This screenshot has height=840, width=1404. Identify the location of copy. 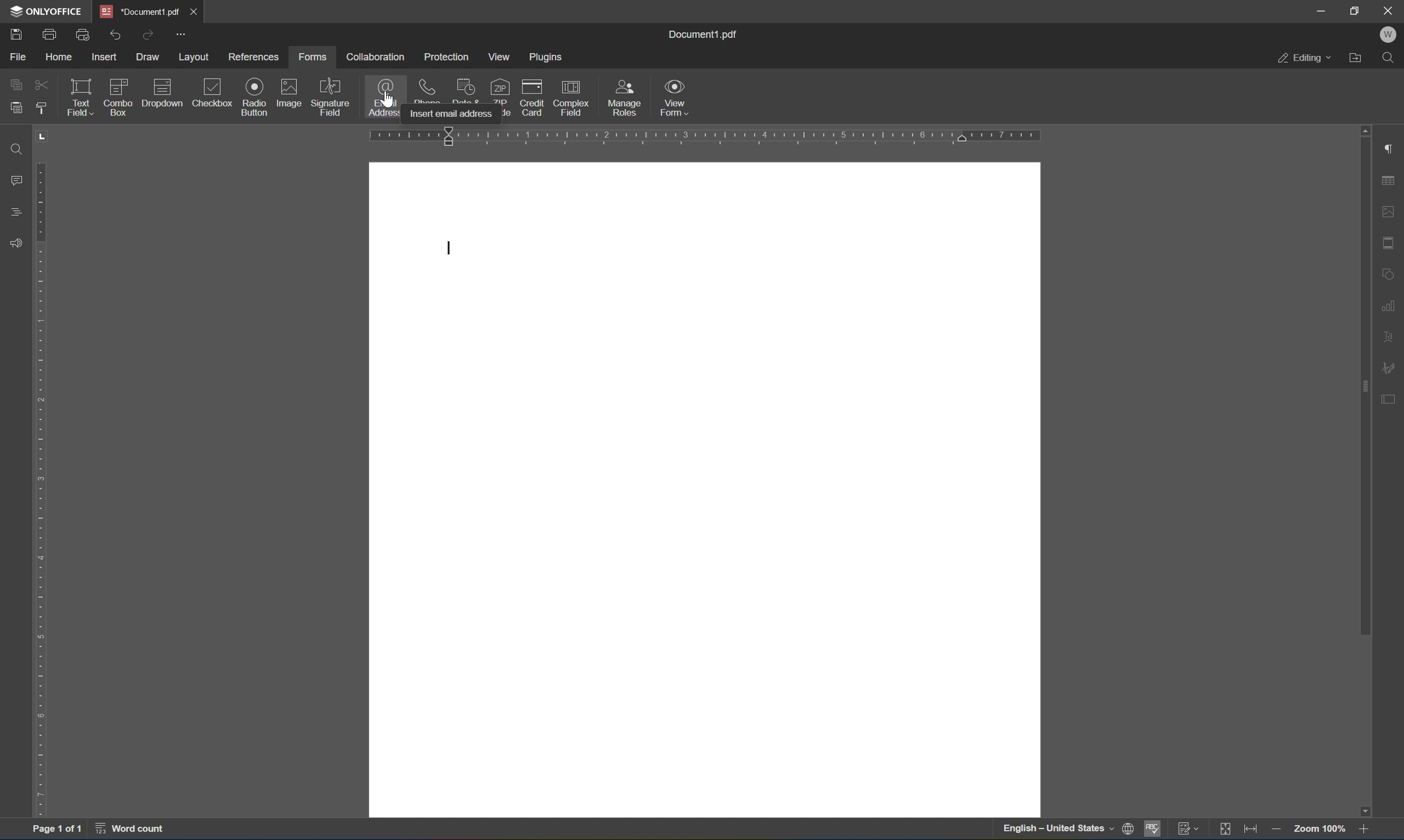
(14, 82).